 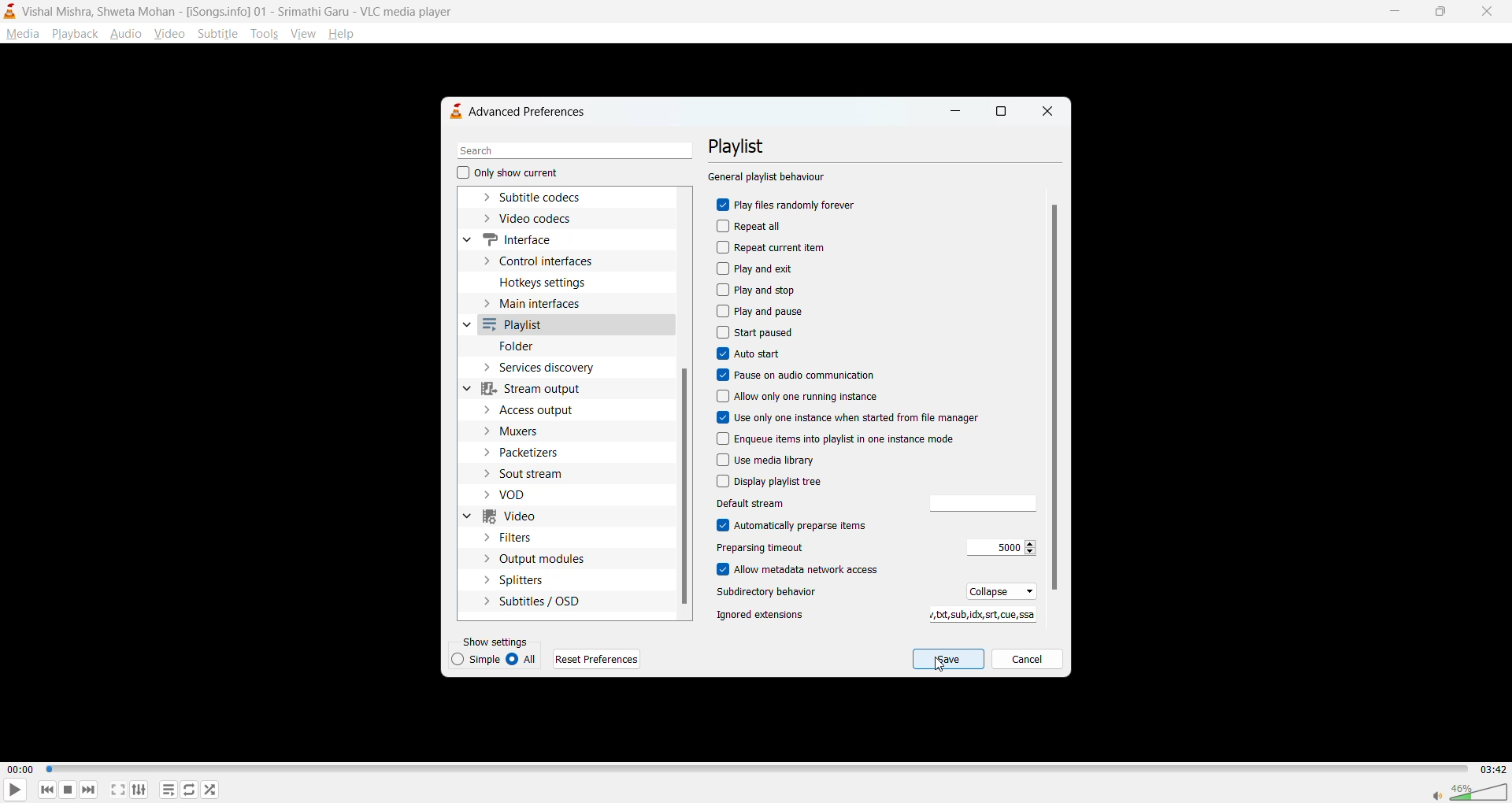 What do you see at coordinates (750, 354) in the screenshot?
I see `autostart` at bounding box center [750, 354].